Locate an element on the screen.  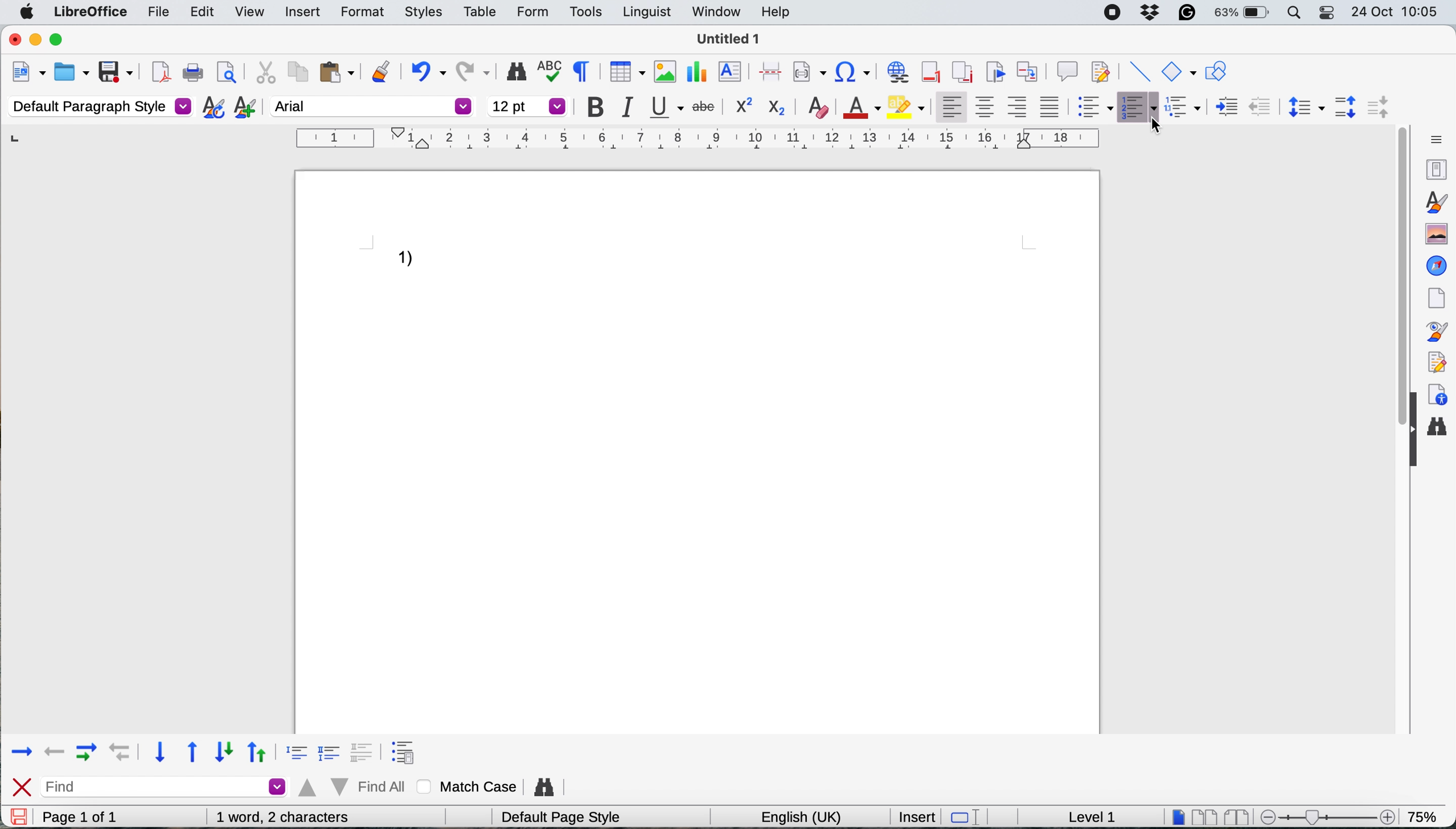
downward is located at coordinates (162, 753).